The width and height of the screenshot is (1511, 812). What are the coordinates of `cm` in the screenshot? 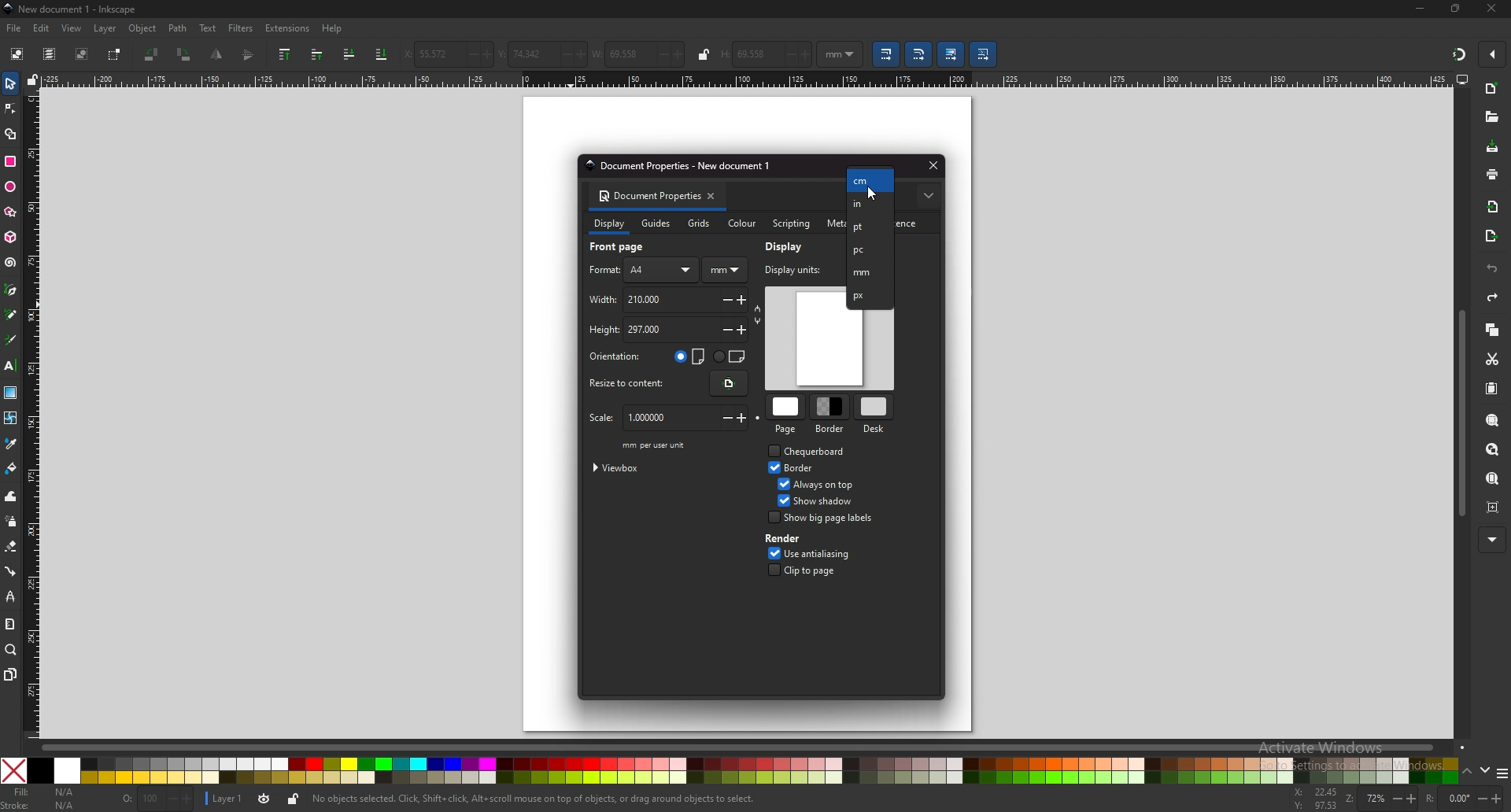 It's located at (870, 181).